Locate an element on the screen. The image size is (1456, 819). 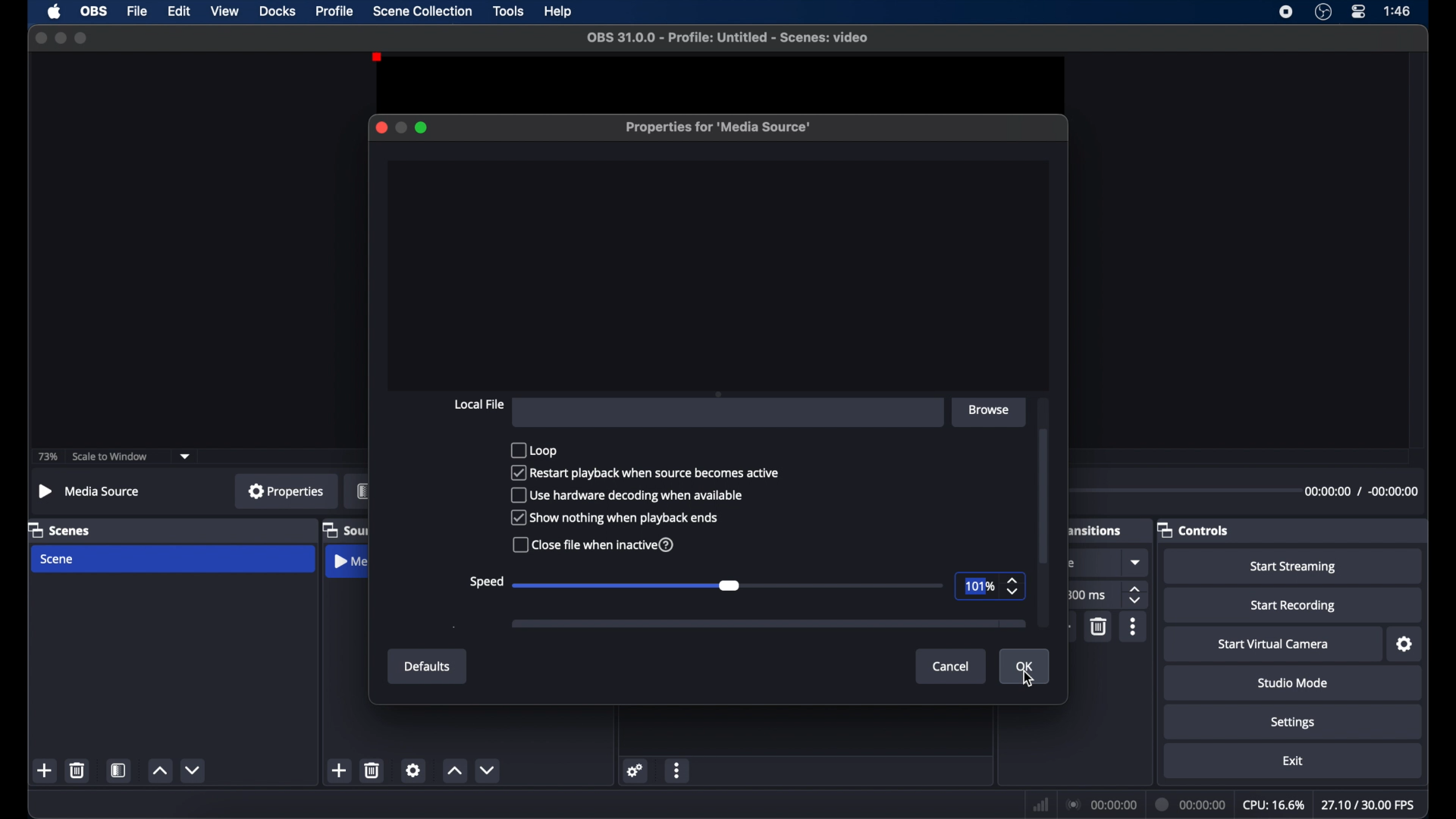
close file when inactive is located at coordinates (595, 544).